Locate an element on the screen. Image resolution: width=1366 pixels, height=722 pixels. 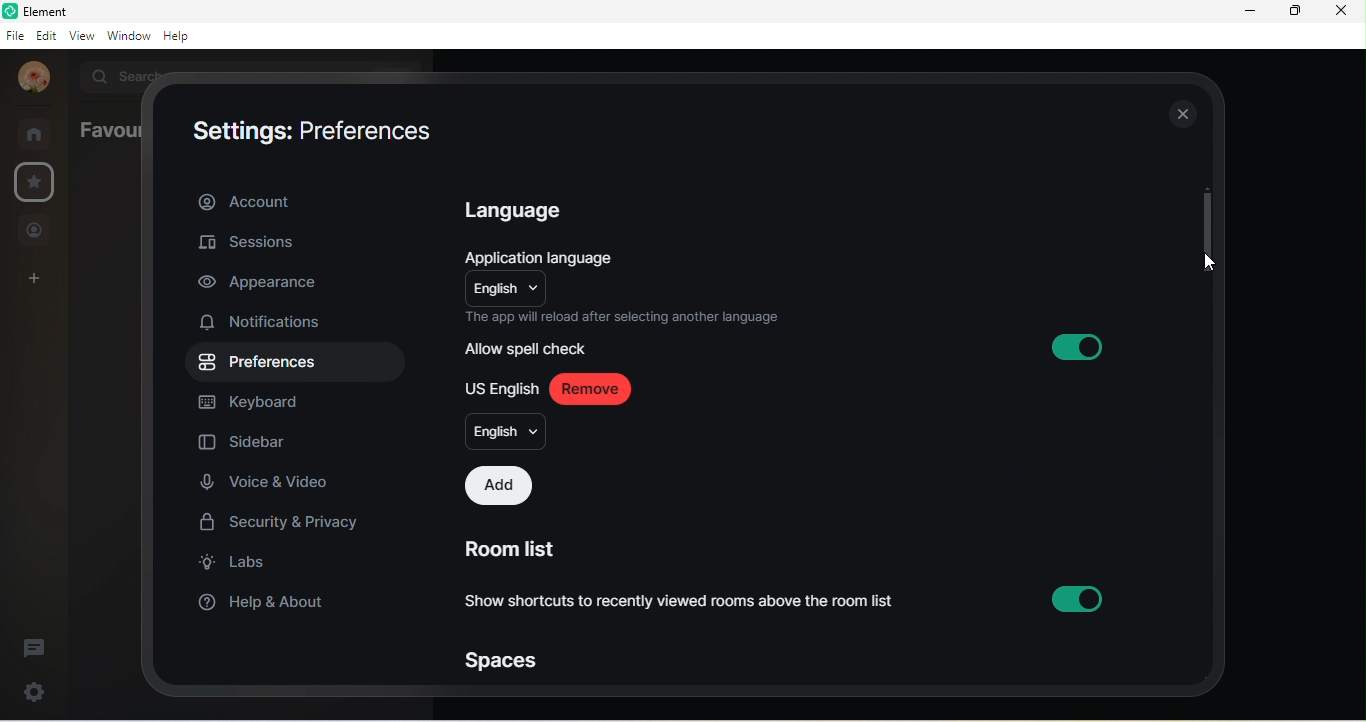
the app will reload after selecting another language is located at coordinates (627, 316).